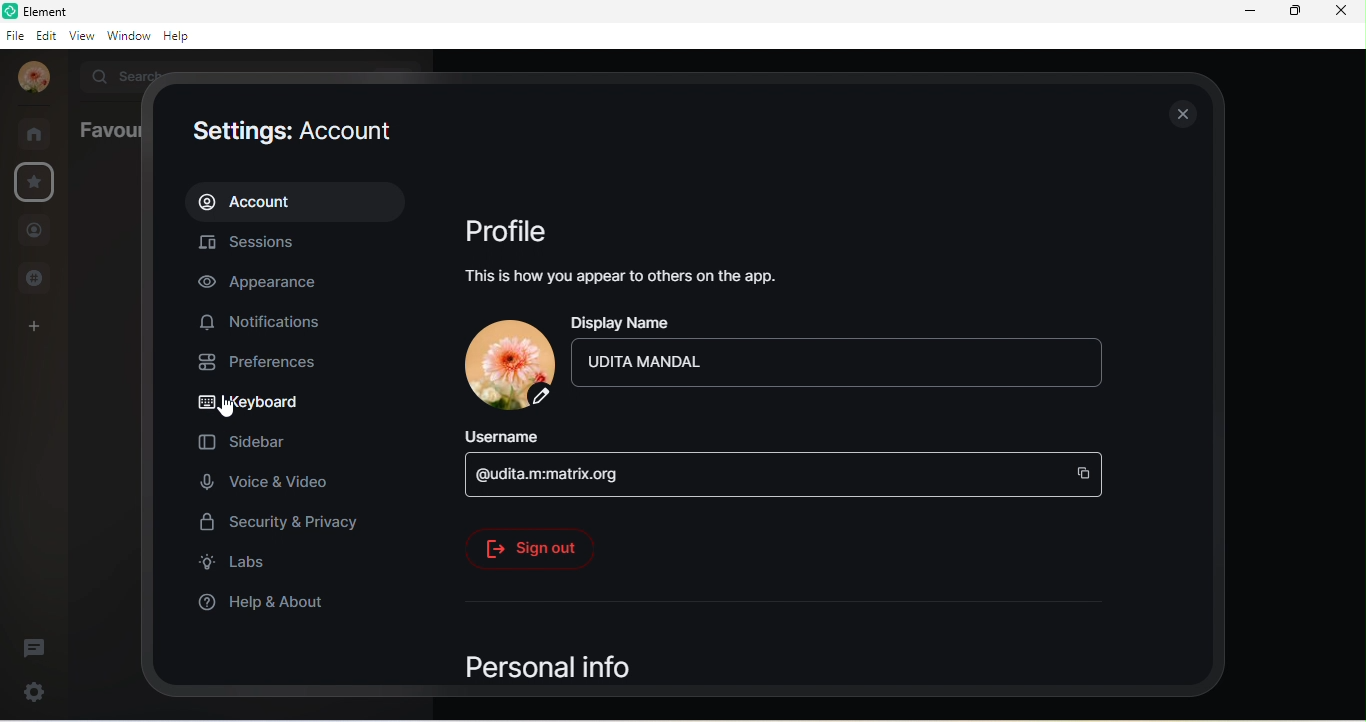 The image size is (1366, 722). I want to click on window, so click(129, 35).